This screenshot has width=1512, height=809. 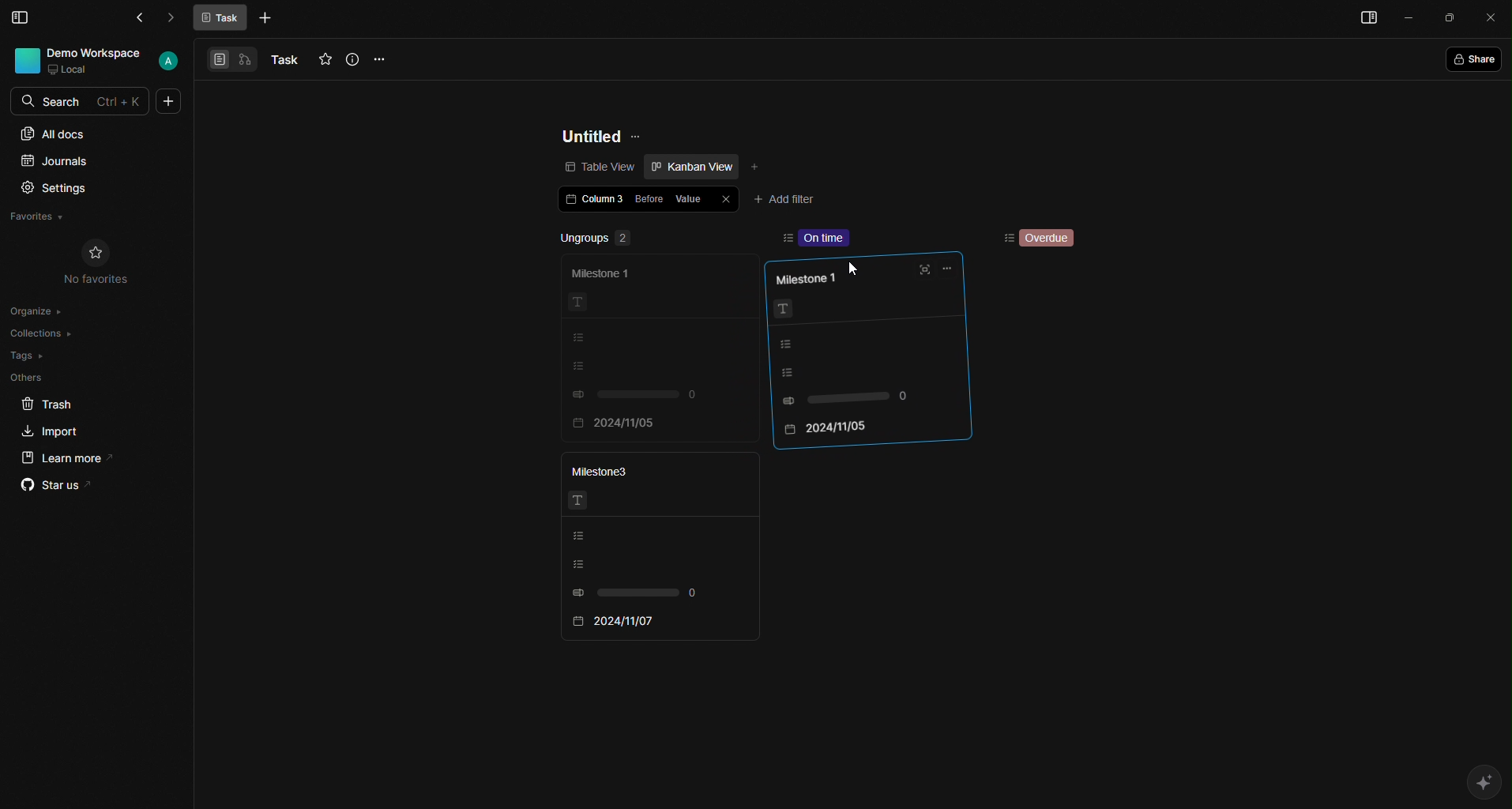 I want to click on Trash, so click(x=47, y=403).